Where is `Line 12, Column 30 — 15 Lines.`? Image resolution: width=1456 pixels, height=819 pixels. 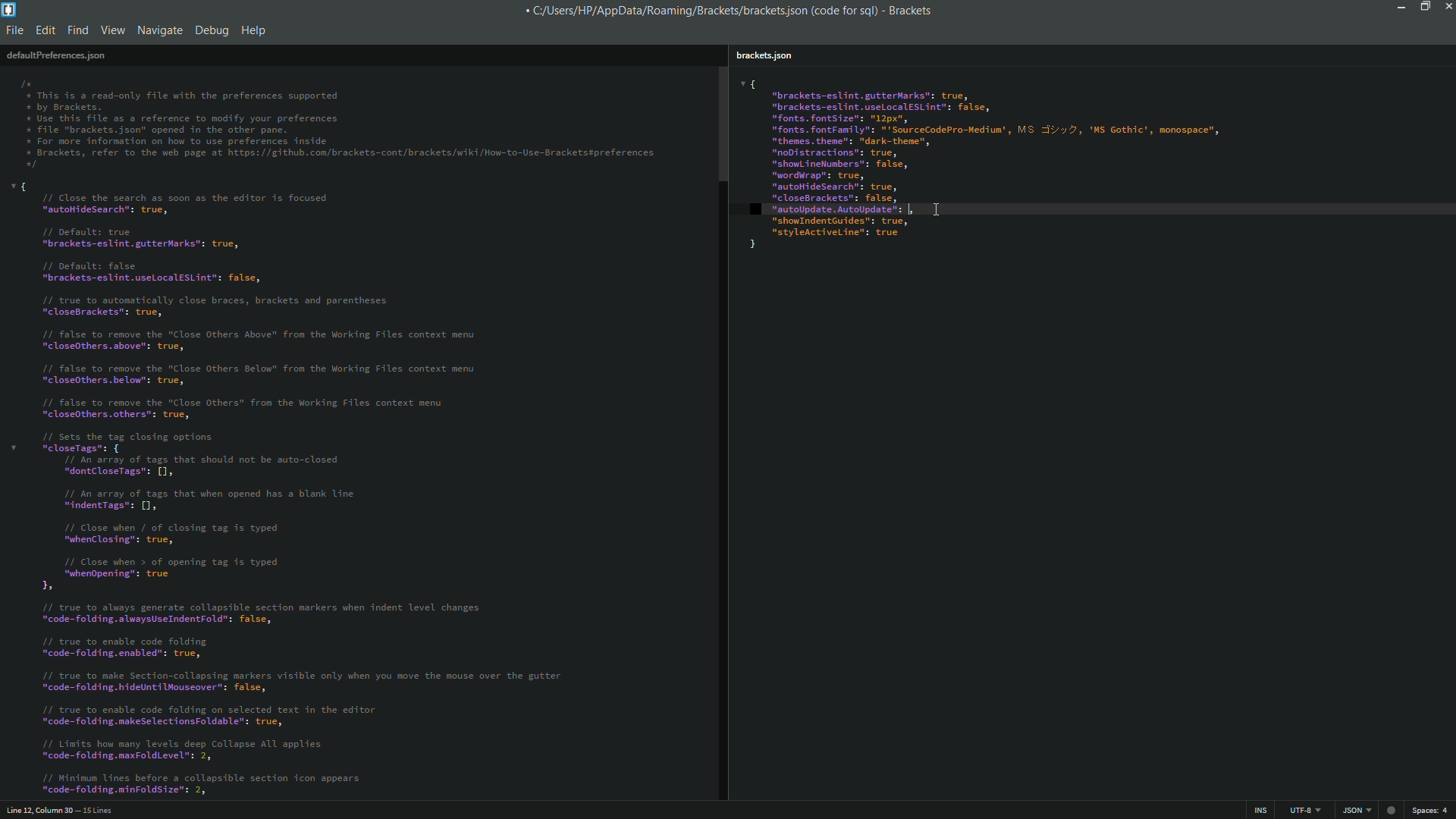 Line 12, Column 30 — 15 Lines. is located at coordinates (58, 808).